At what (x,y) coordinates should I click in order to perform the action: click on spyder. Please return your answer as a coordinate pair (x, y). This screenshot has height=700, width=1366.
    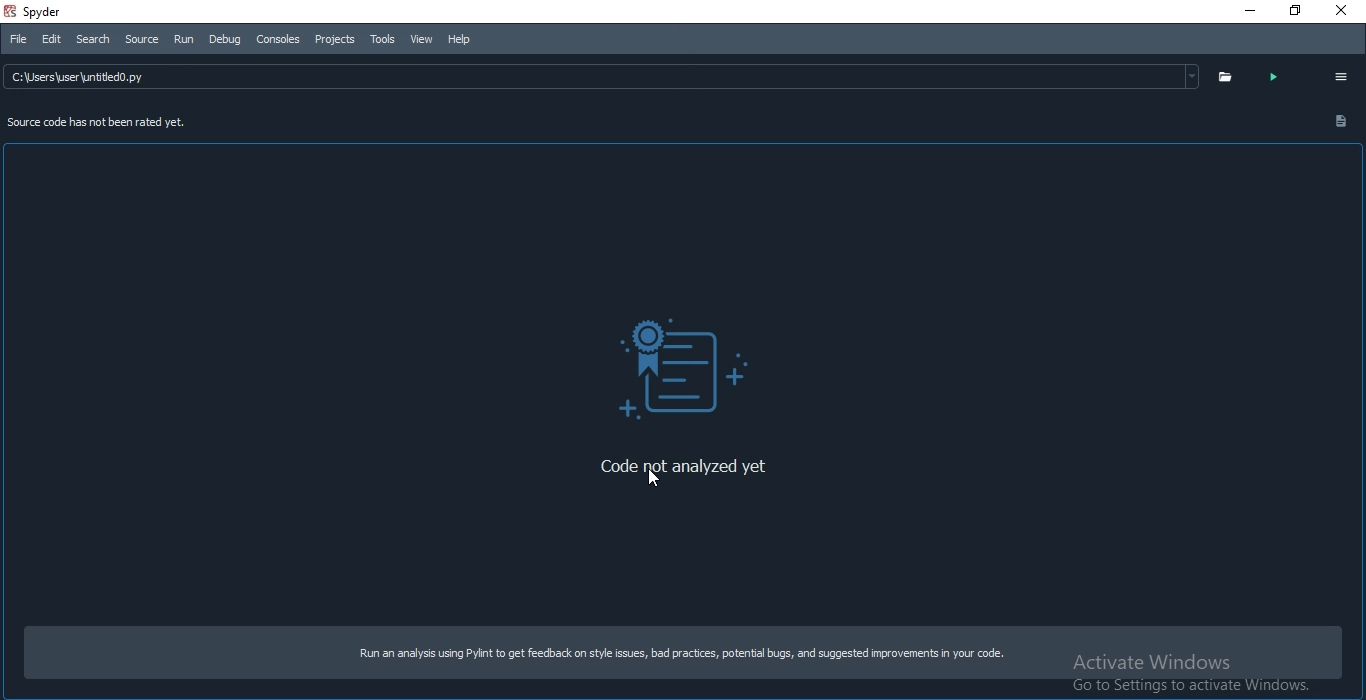
    Looking at the image, I should click on (49, 12).